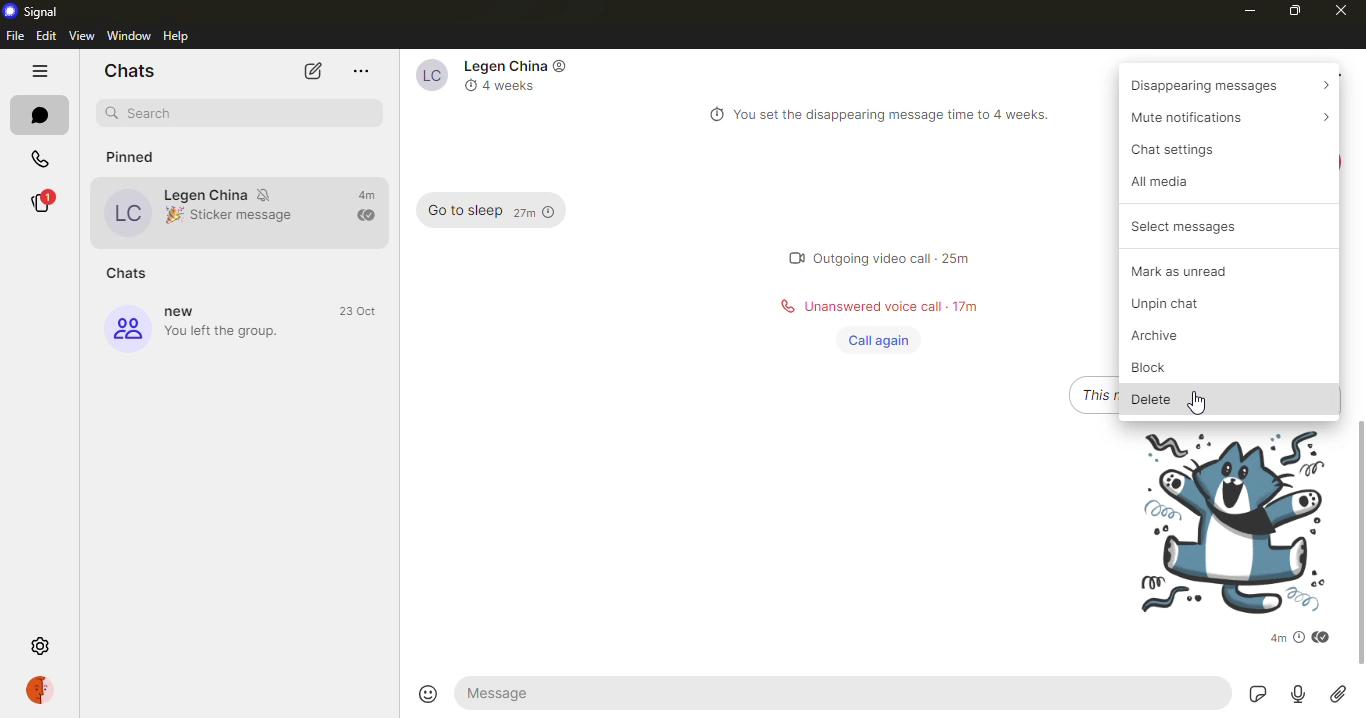 Image resolution: width=1366 pixels, height=718 pixels. What do you see at coordinates (313, 72) in the screenshot?
I see `new chat` at bounding box center [313, 72].